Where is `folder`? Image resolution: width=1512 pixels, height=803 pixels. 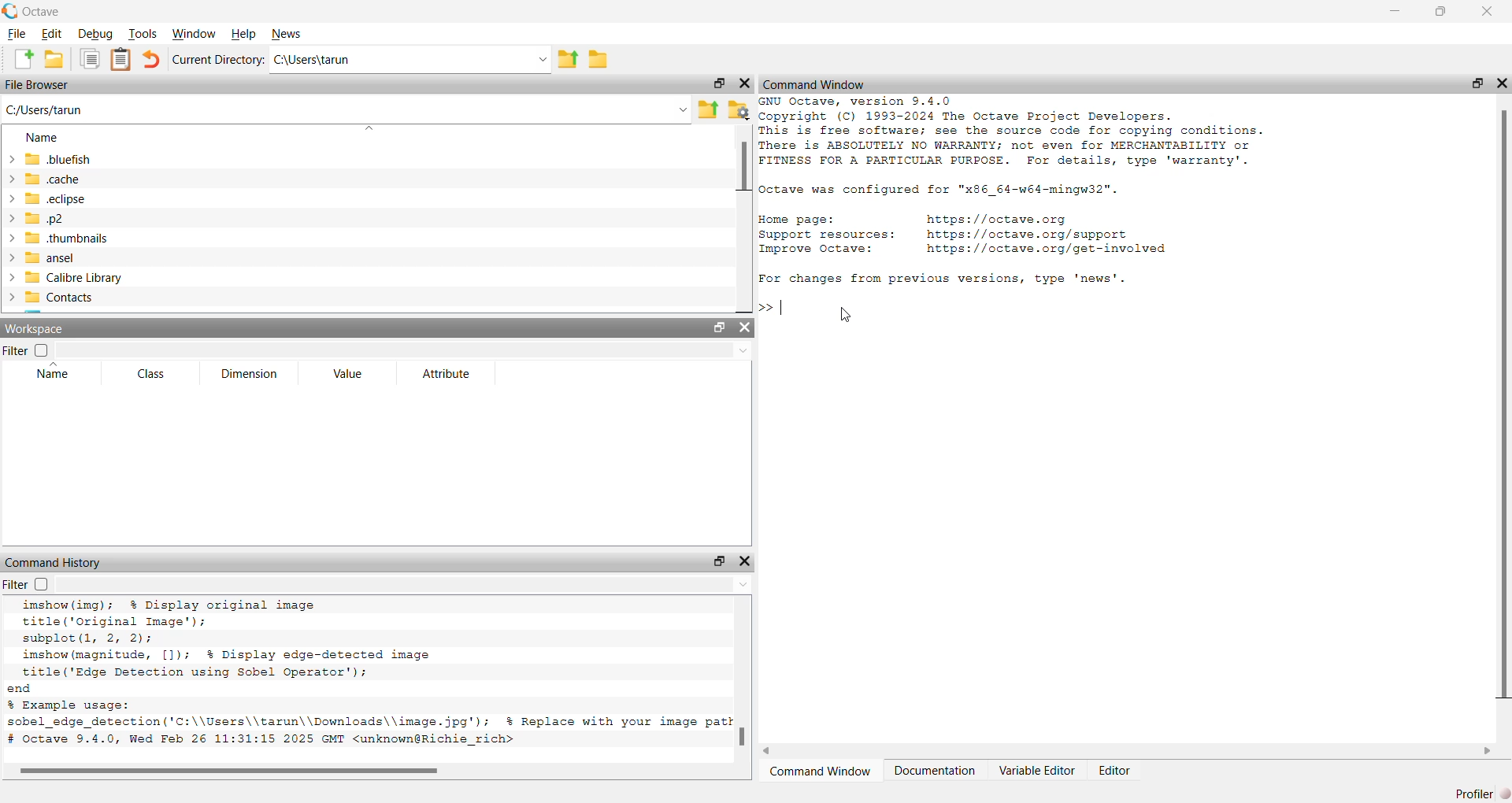 folder is located at coordinates (602, 63).